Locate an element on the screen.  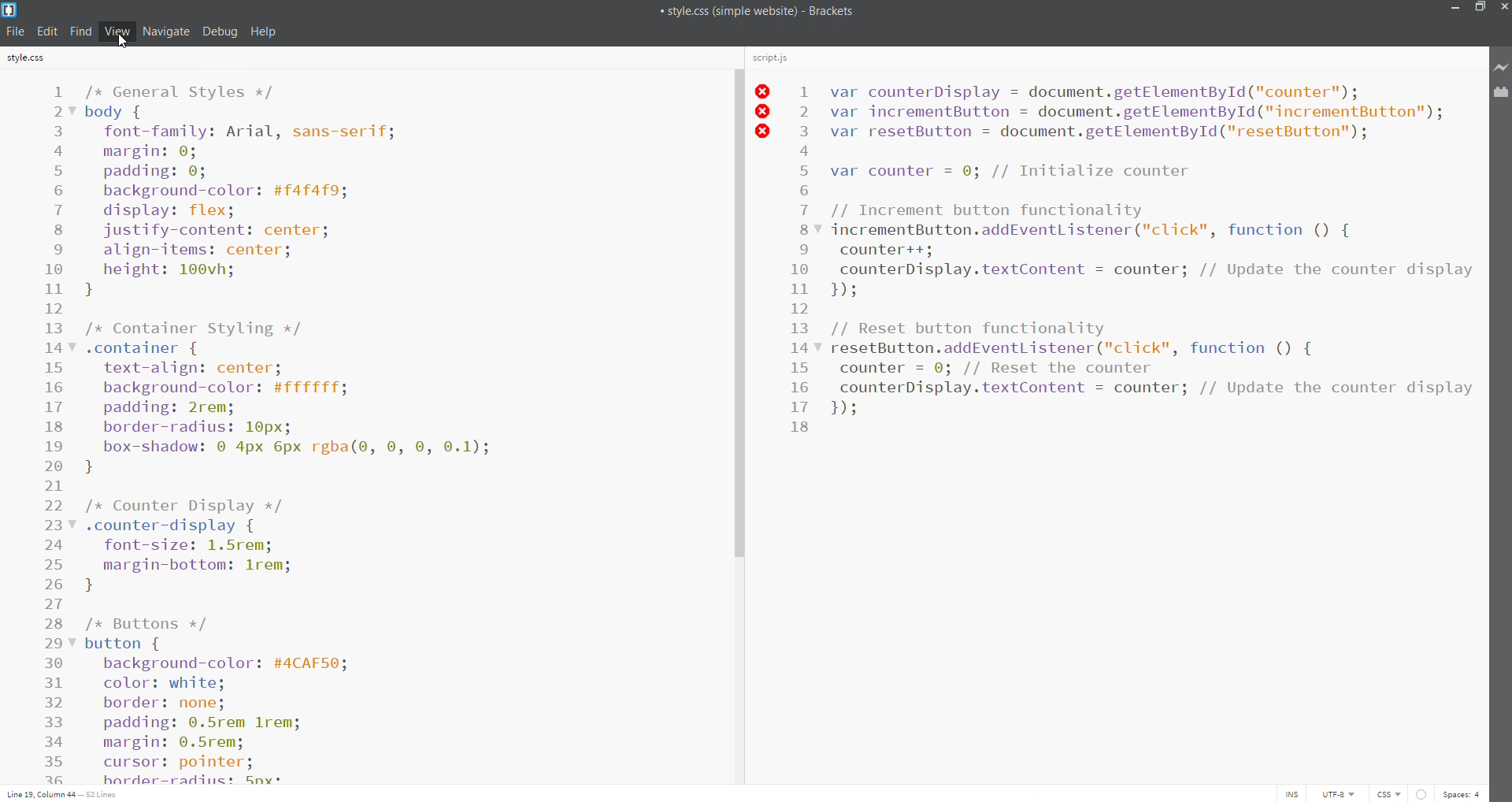
find is located at coordinates (80, 31).